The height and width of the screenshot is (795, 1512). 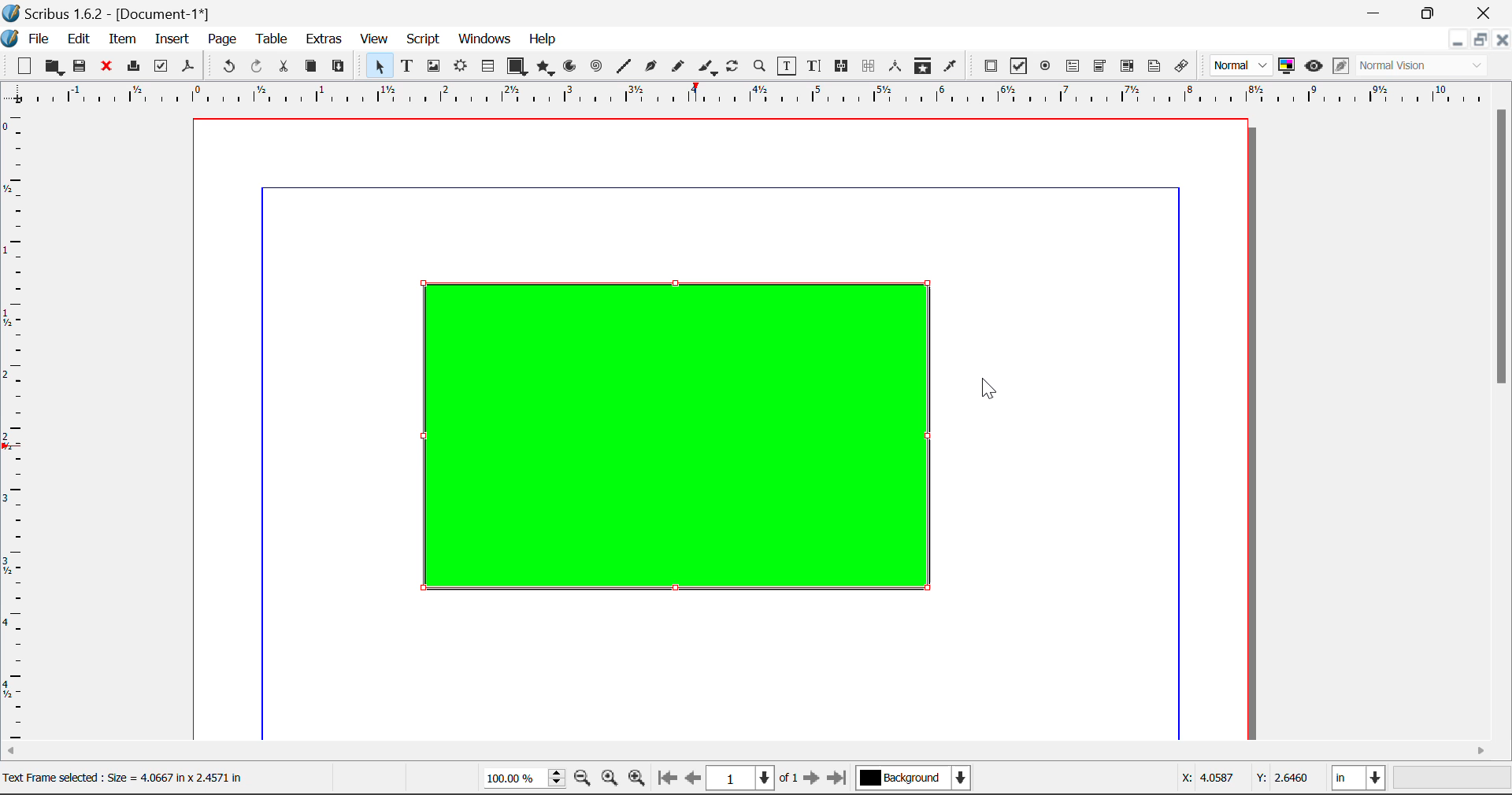 What do you see at coordinates (460, 67) in the screenshot?
I see `Render Frame` at bounding box center [460, 67].